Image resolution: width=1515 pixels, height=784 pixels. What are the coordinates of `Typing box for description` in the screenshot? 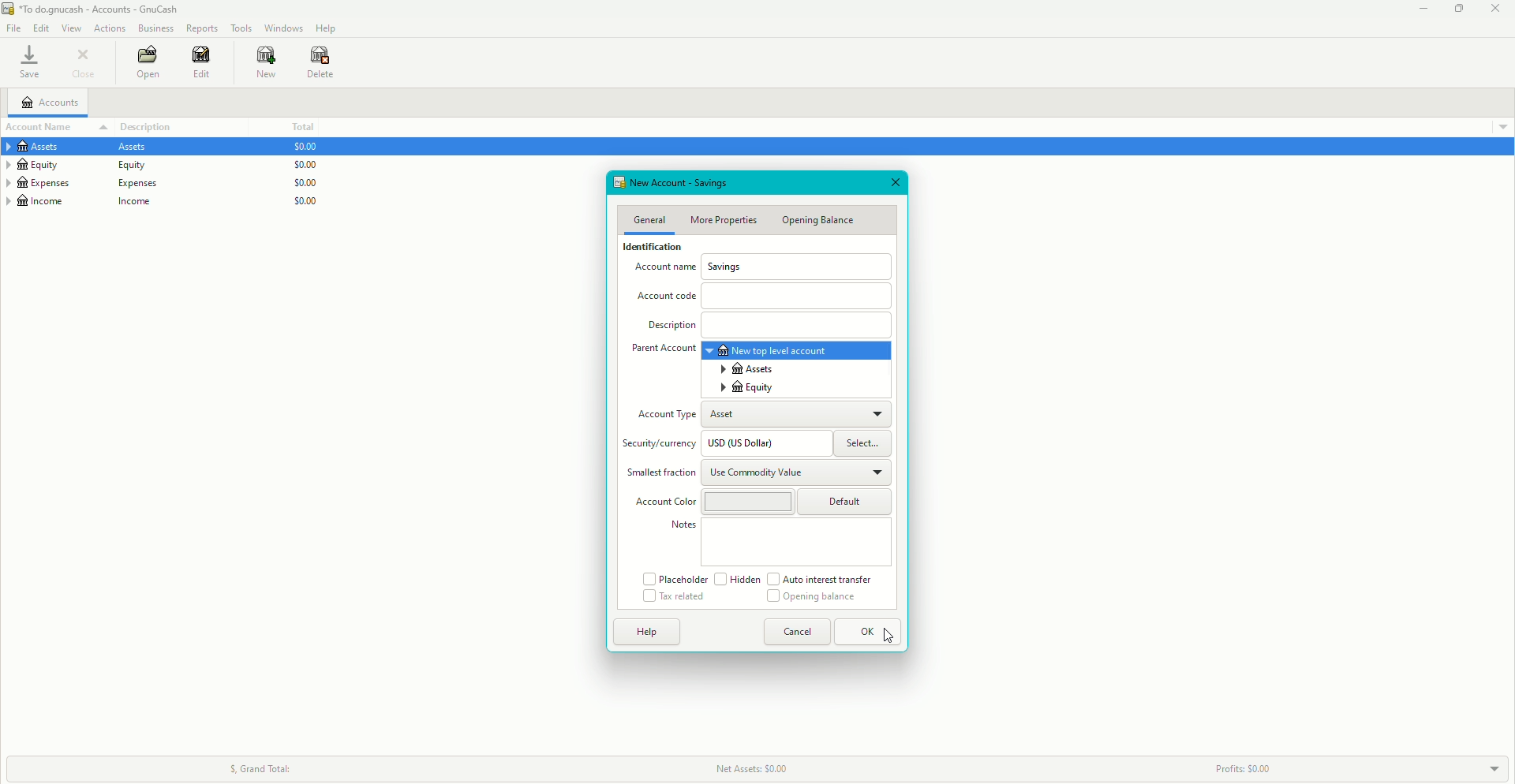 It's located at (797, 326).